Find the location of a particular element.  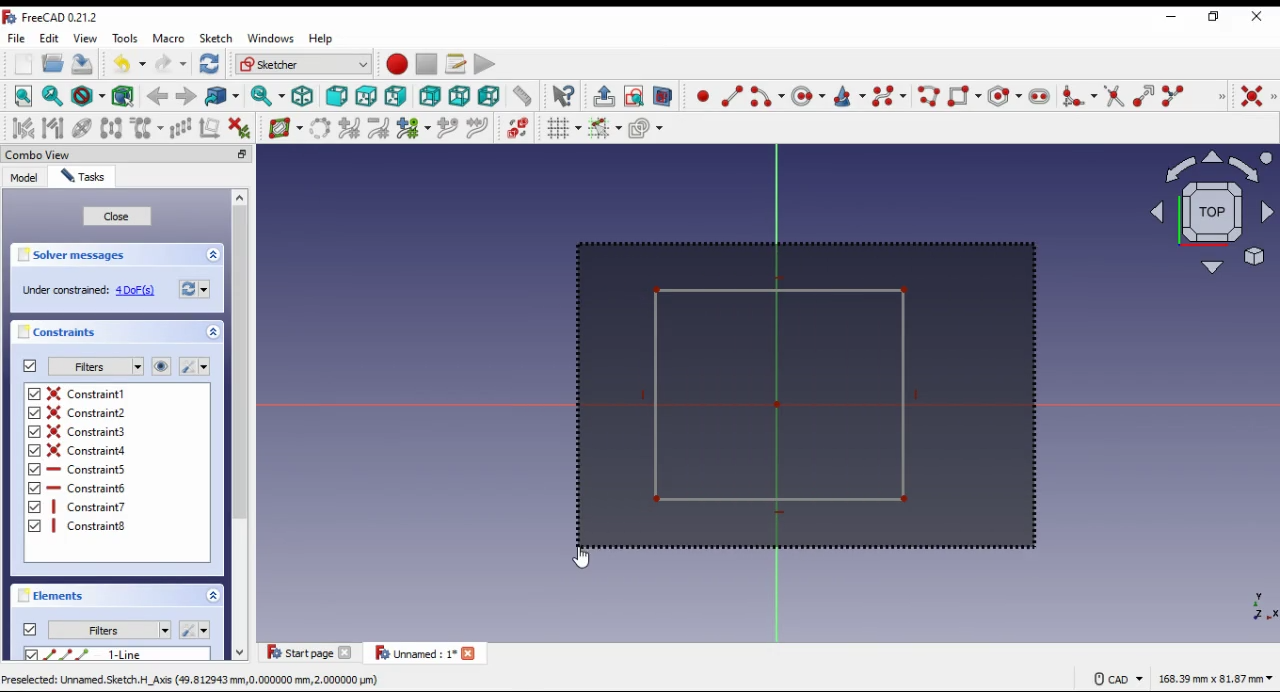

create fillet is located at coordinates (1079, 96).